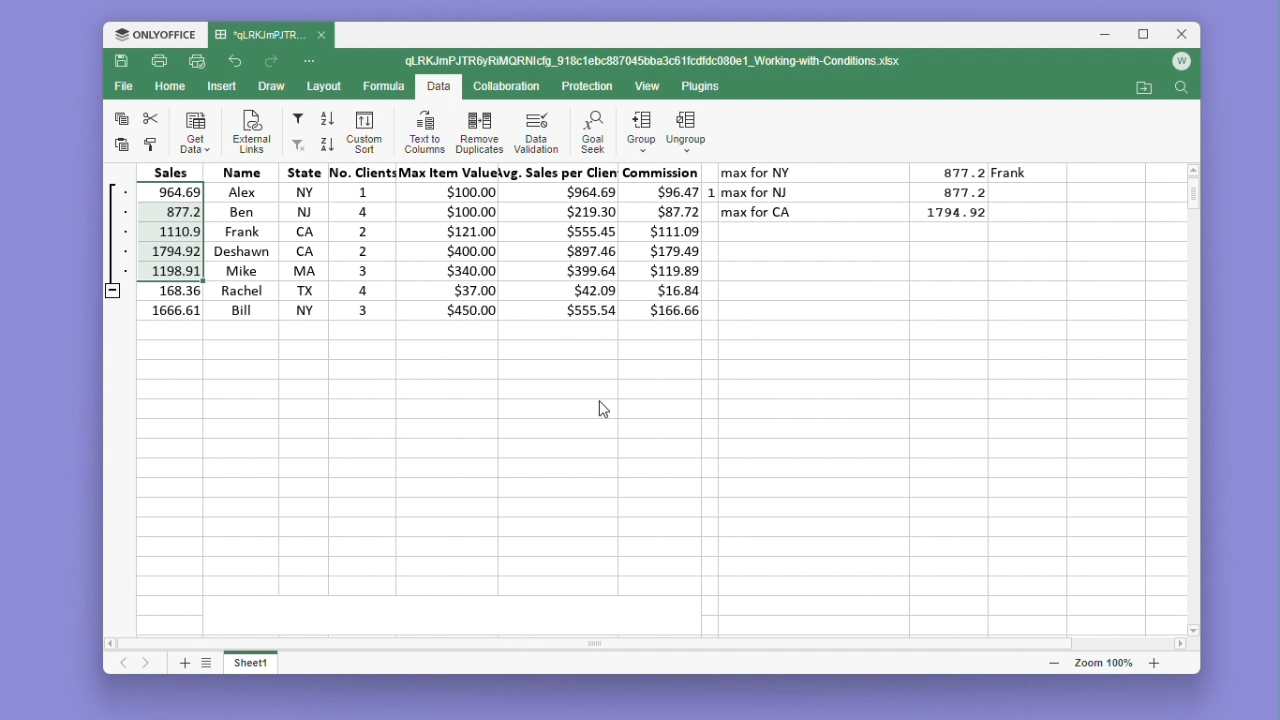 The width and height of the screenshot is (1280, 720). Describe the element at coordinates (706, 87) in the screenshot. I see `Plugins ` at that location.